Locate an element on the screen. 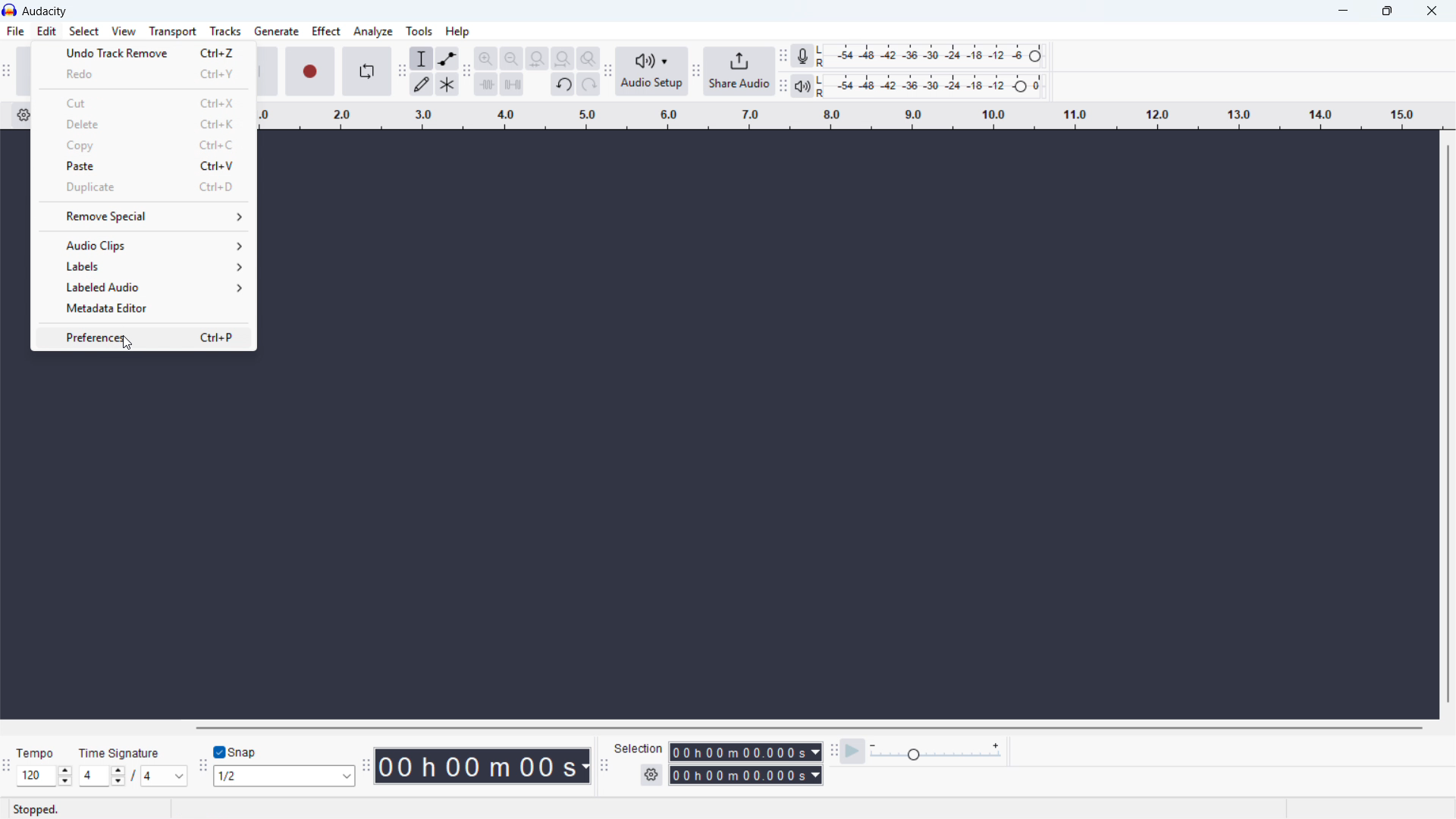 The image size is (1456, 819). title is located at coordinates (45, 11).